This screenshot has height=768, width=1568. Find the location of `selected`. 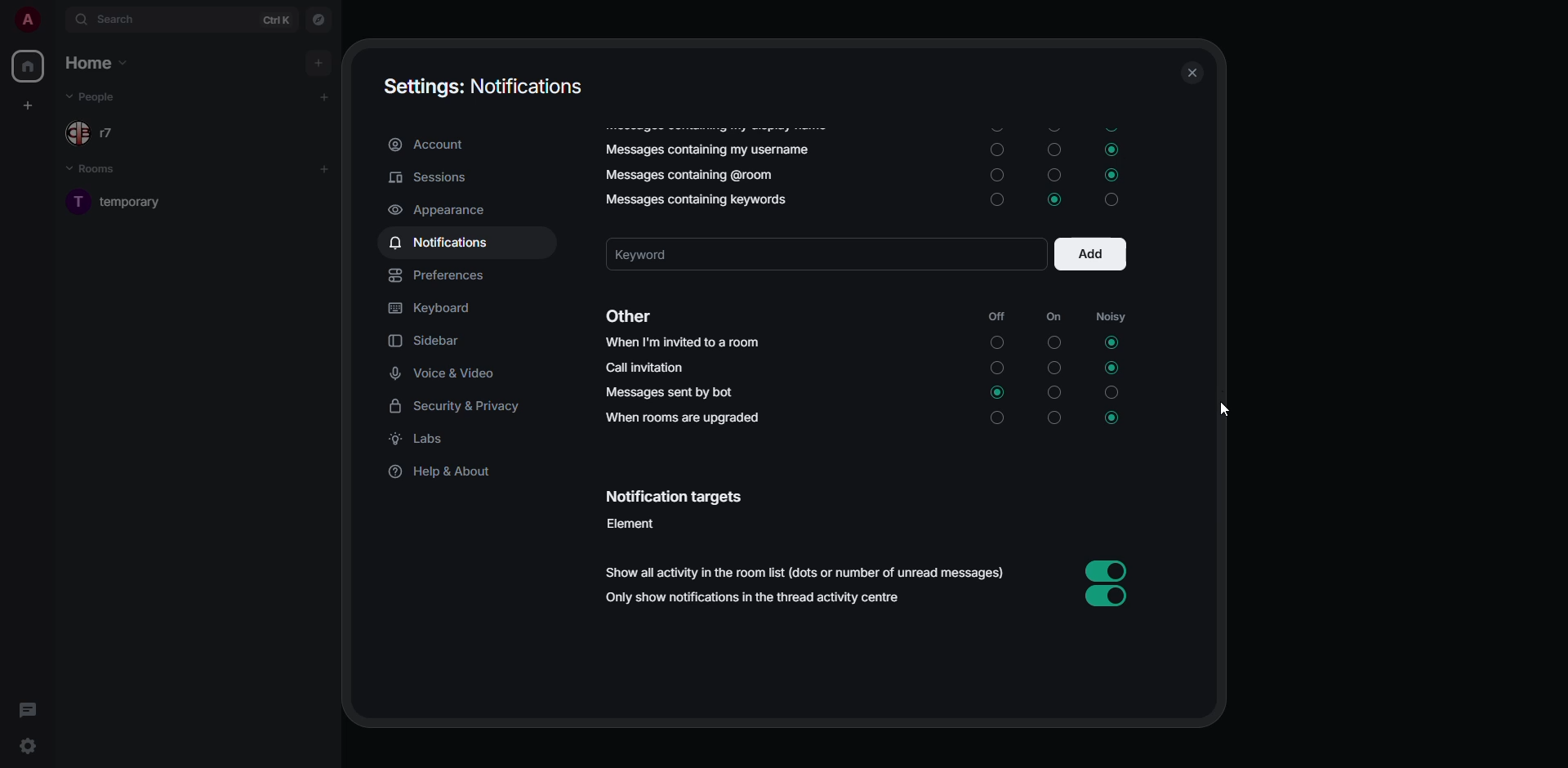

selected is located at coordinates (1111, 149).